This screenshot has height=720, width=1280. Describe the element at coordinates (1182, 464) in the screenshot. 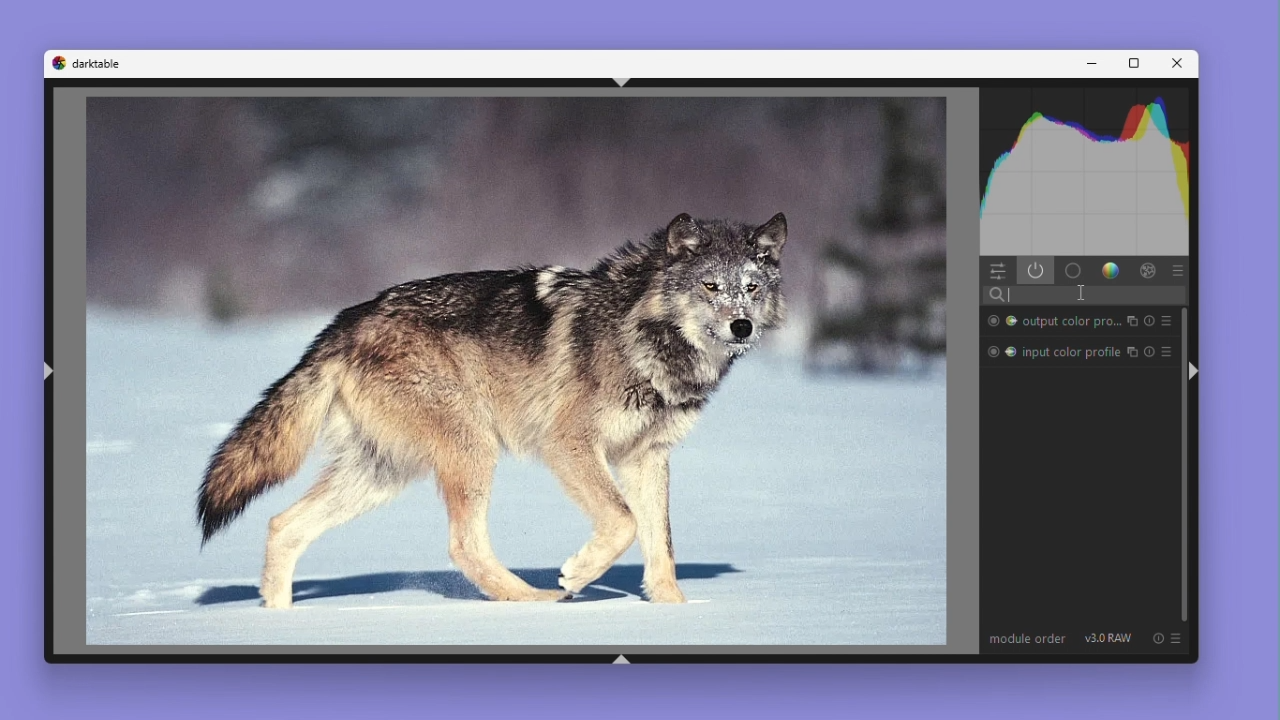

I see `Vertical scroll bar` at that location.